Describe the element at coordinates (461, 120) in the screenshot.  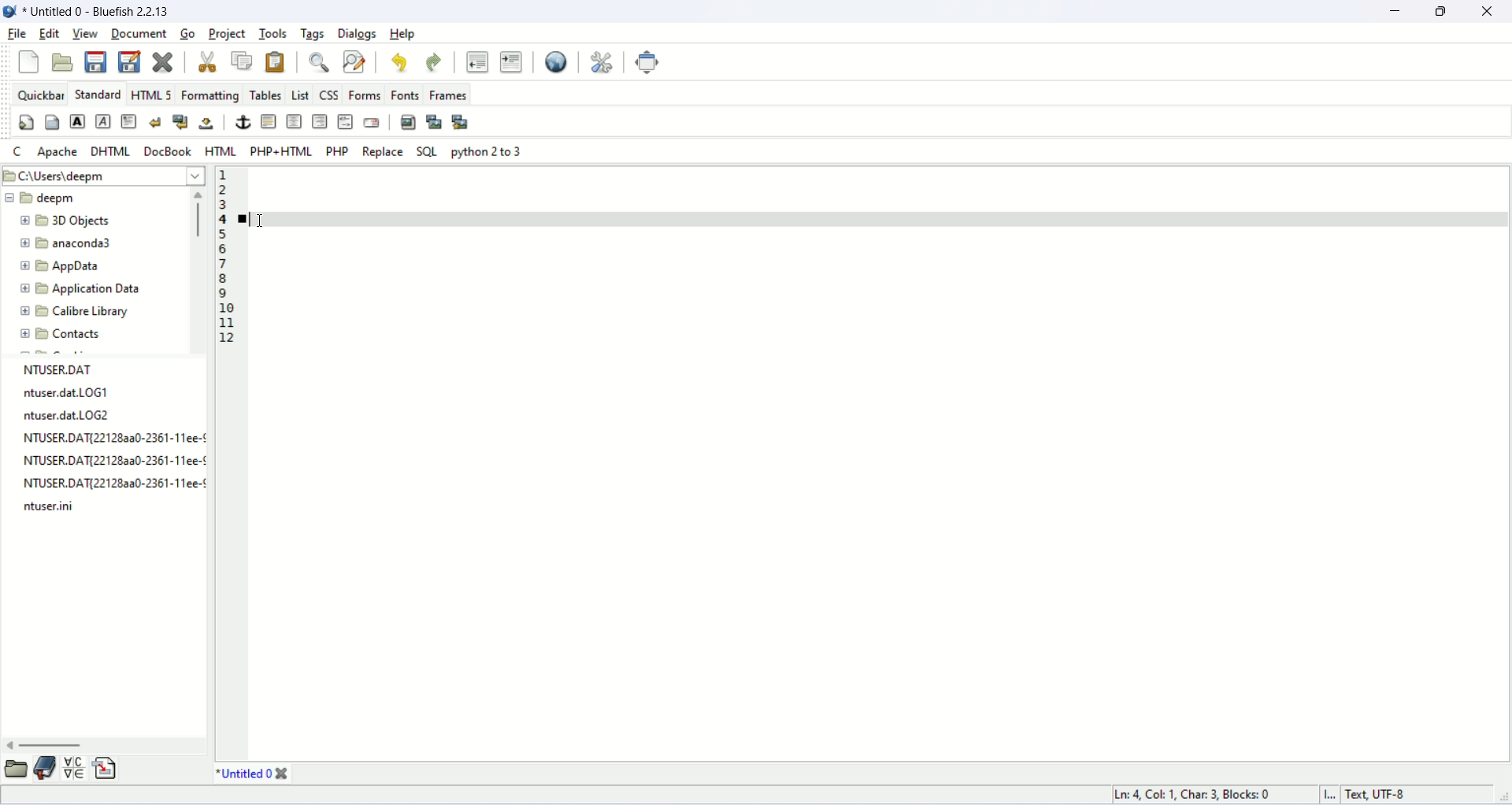
I see `multi thumbnail` at that location.